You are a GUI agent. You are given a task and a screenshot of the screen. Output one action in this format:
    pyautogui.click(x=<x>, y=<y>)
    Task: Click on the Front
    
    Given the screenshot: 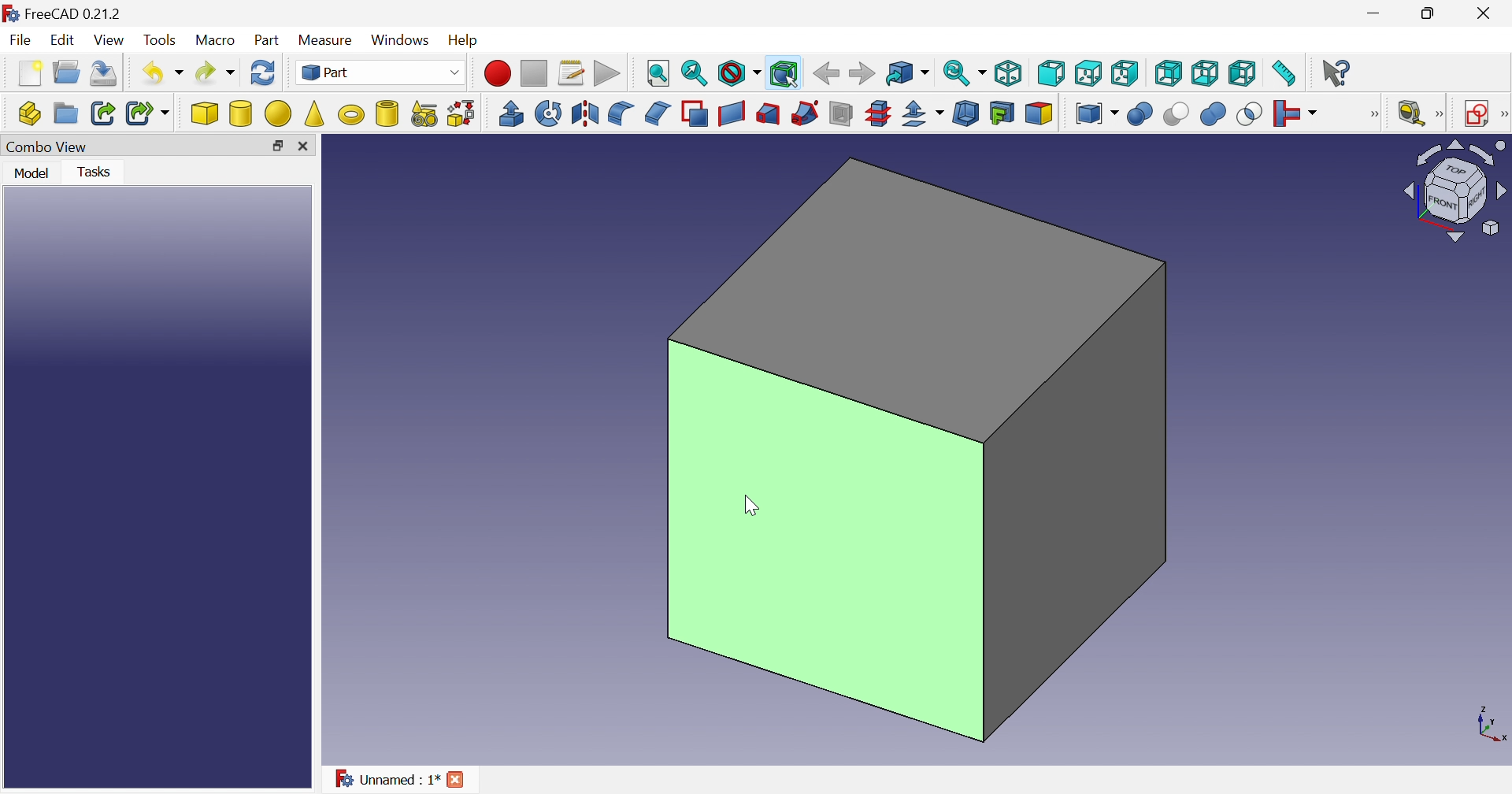 What is the action you would take?
    pyautogui.click(x=1052, y=73)
    